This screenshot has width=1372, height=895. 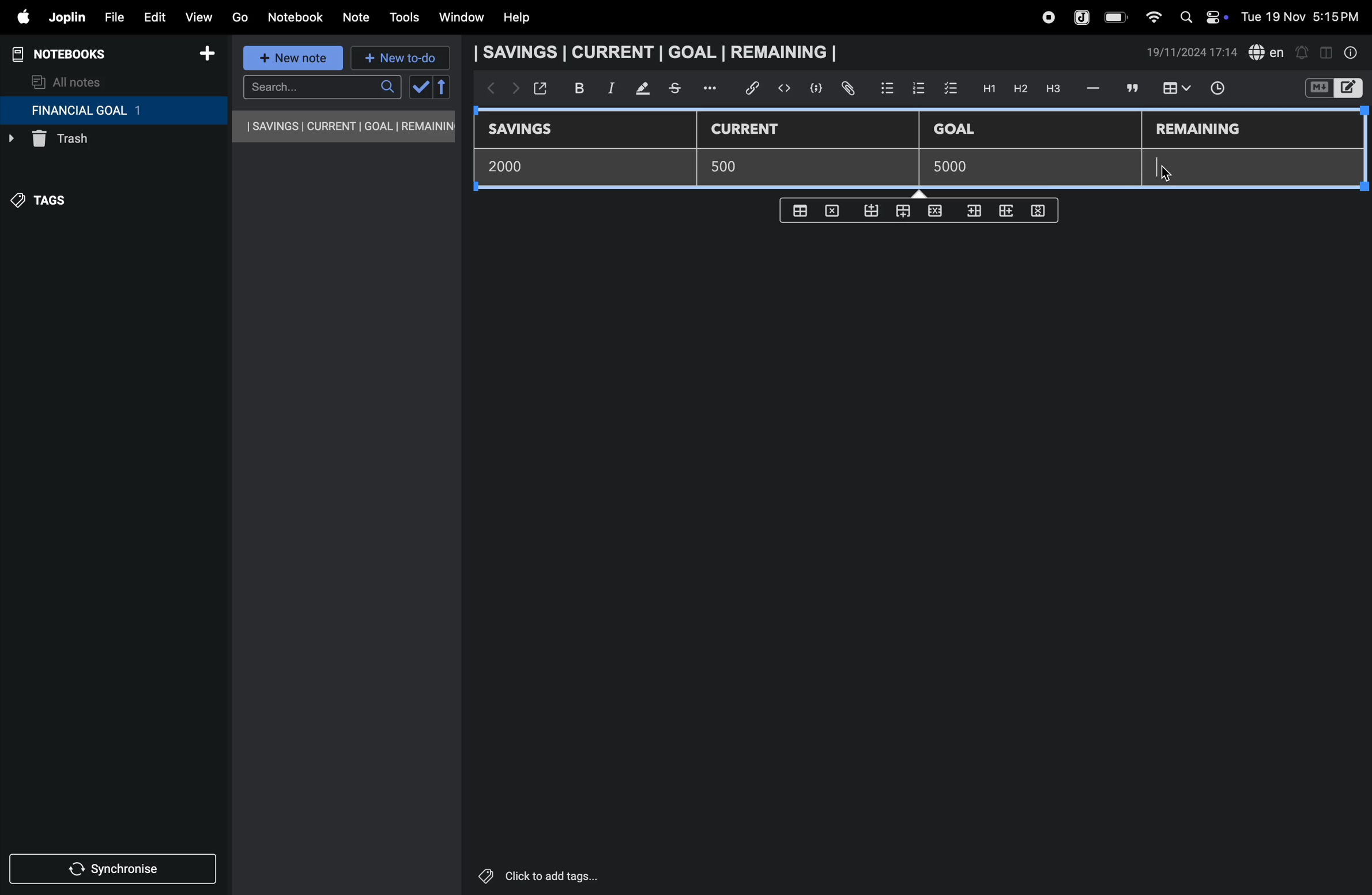 What do you see at coordinates (322, 87) in the screenshot?
I see `search` at bounding box center [322, 87].